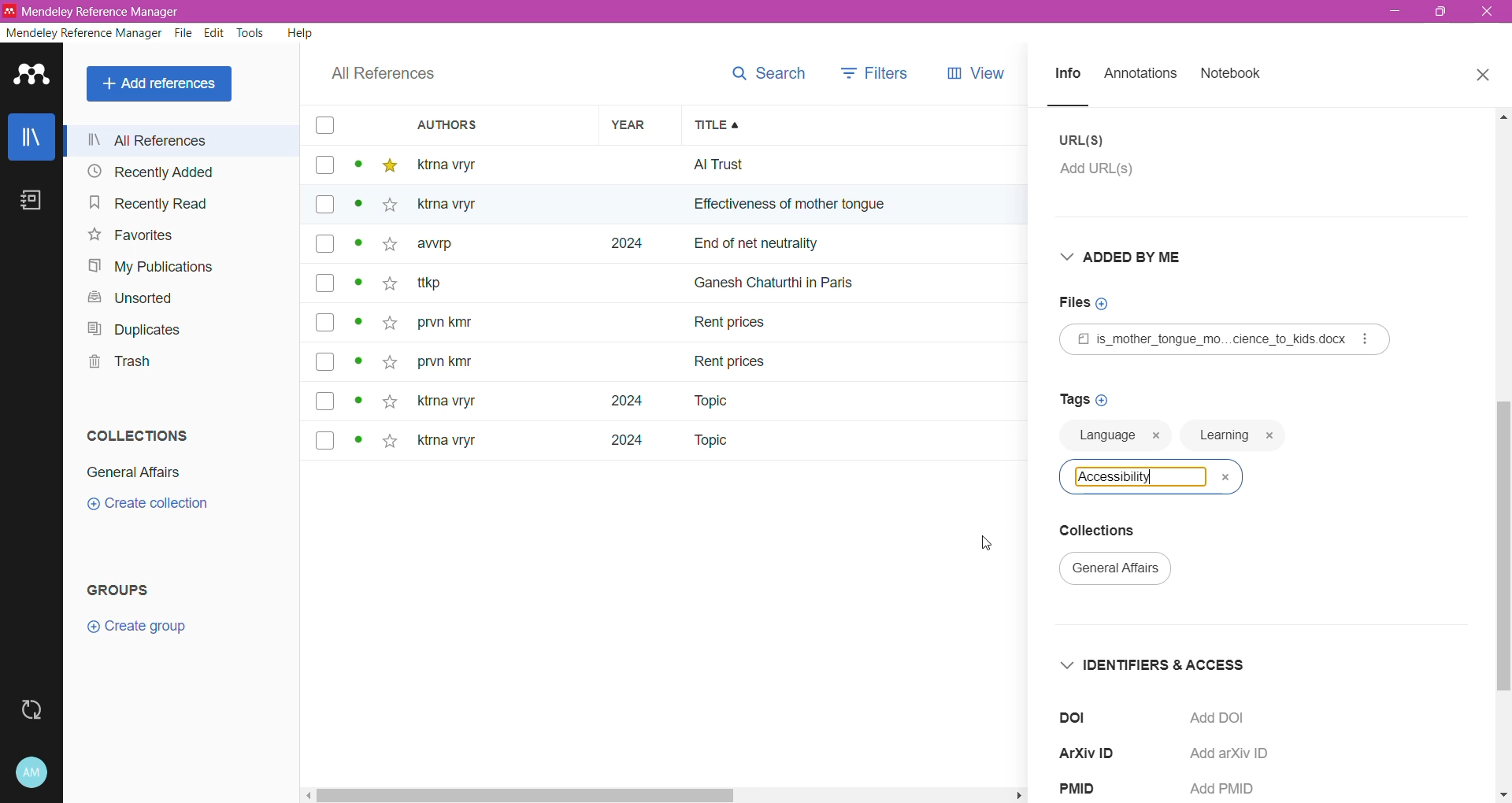  Describe the element at coordinates (354, 209) in the screenshot. I see `dot ` at that location.